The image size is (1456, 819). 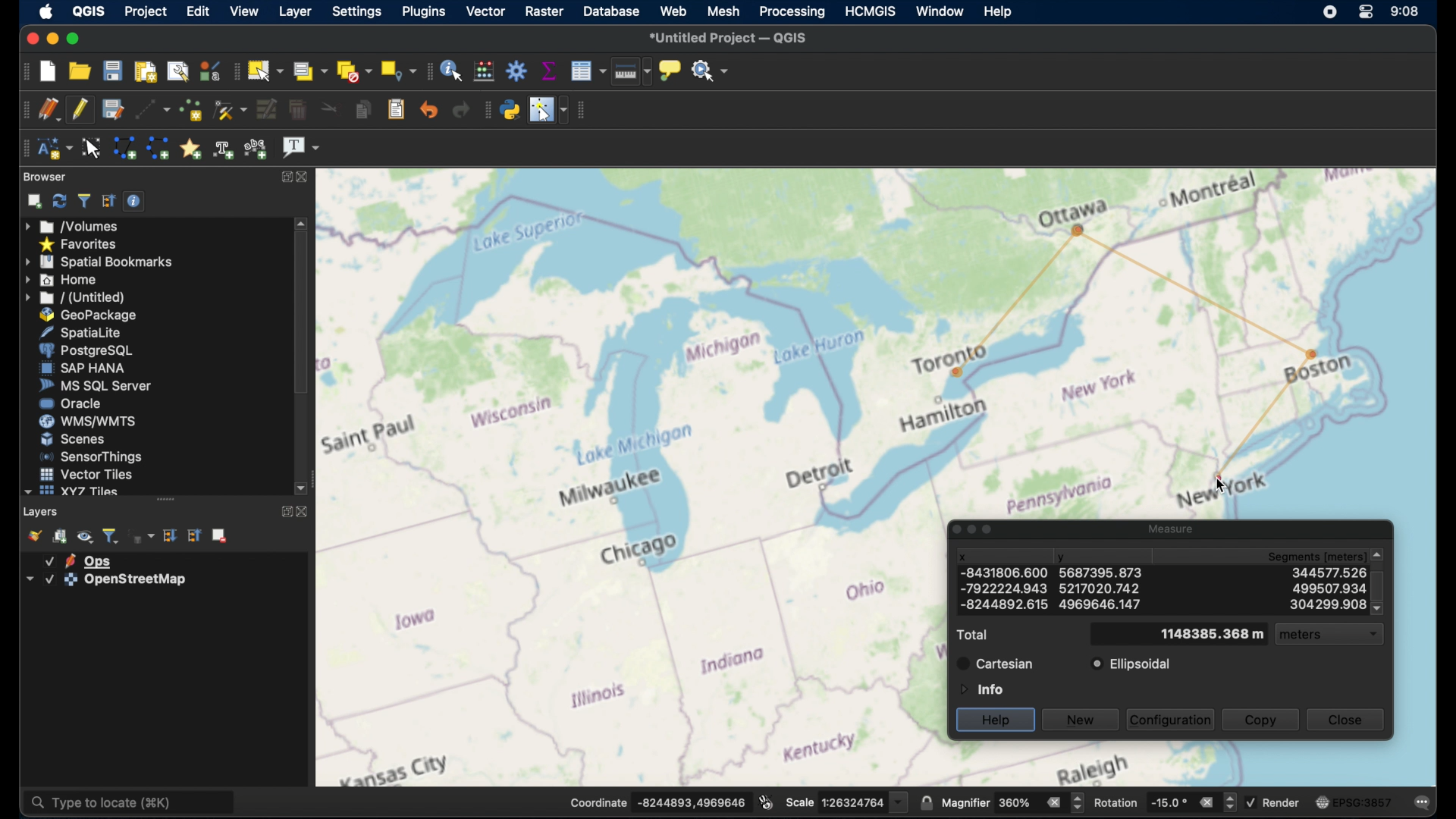 What do you see at coordinates (1350, 720) in the screenshot?
I see `close` at bounding box center [1350, 720].